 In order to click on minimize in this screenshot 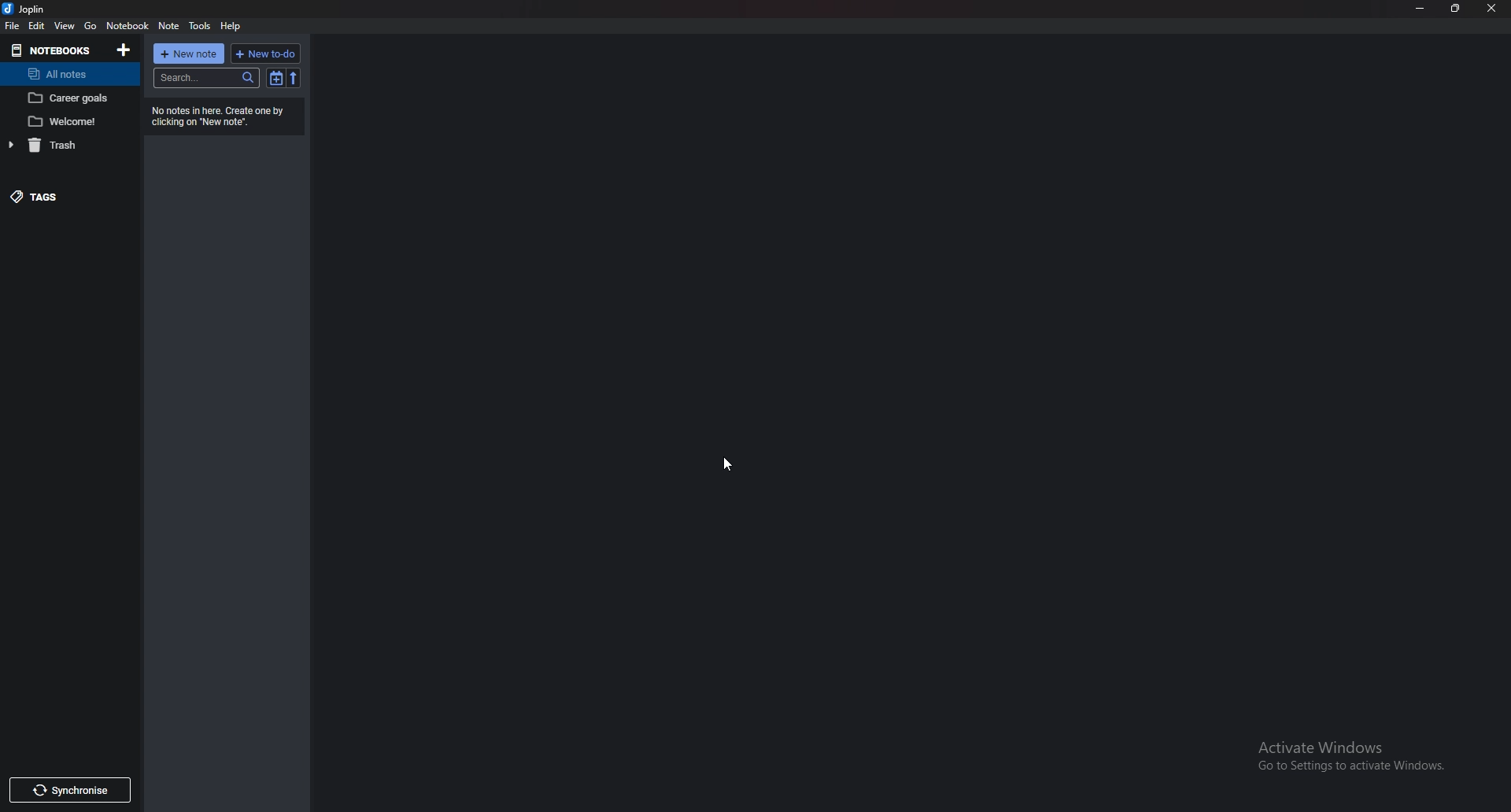, I will do `click(1420, 9)`.